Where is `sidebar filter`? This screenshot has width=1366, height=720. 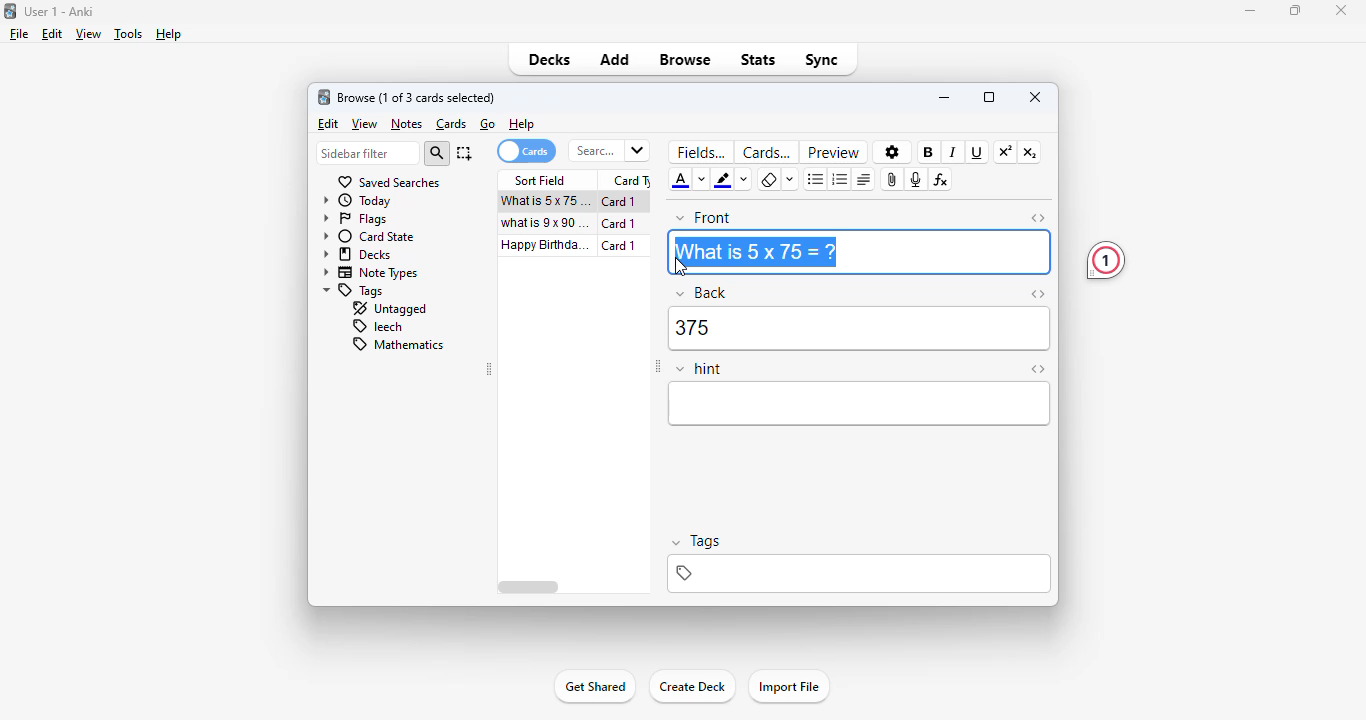
sidebar filter is located at coordinates (366, 153).